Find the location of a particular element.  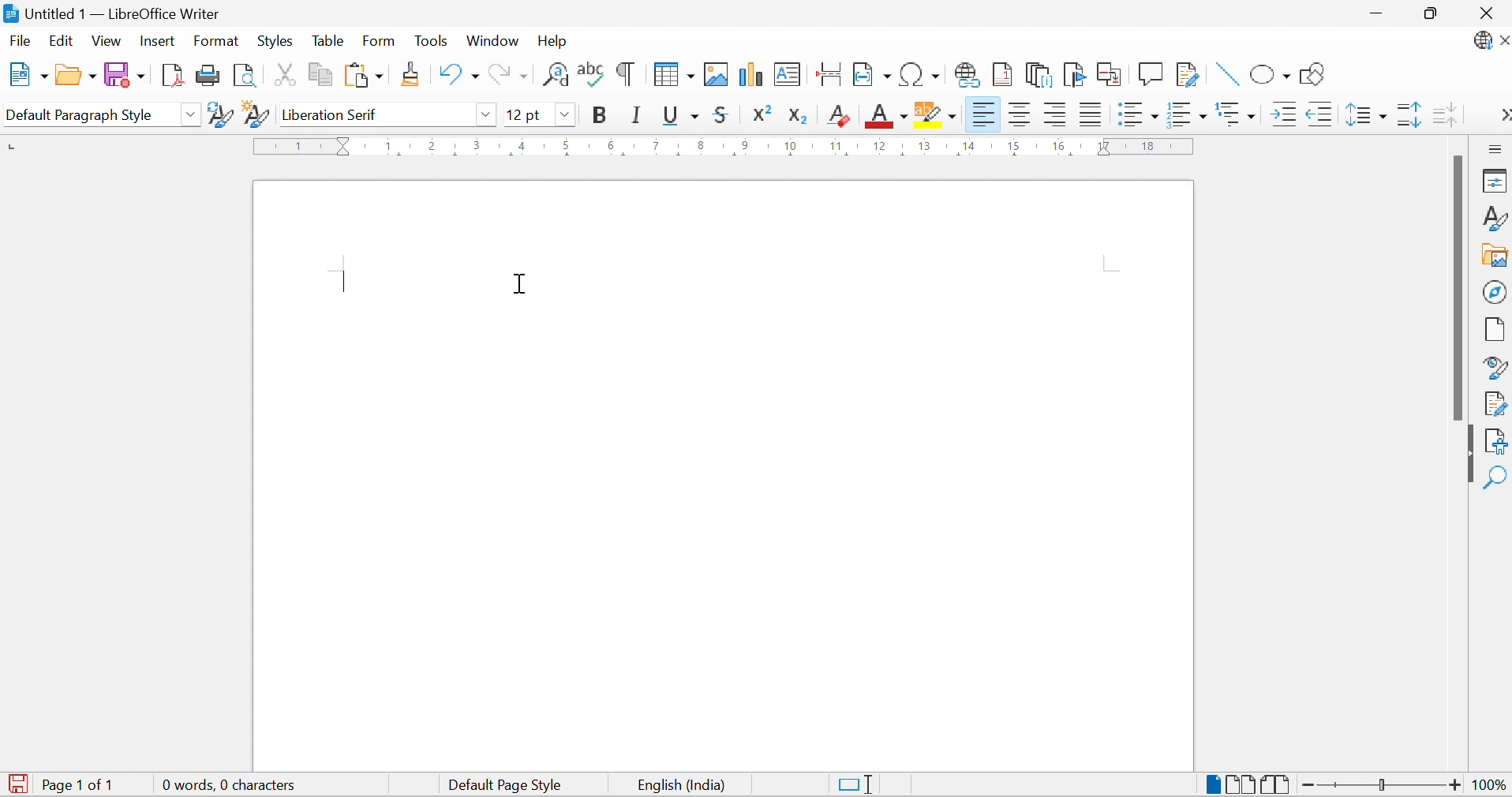

Accessibility Check is located at coordinates (1497, 440).